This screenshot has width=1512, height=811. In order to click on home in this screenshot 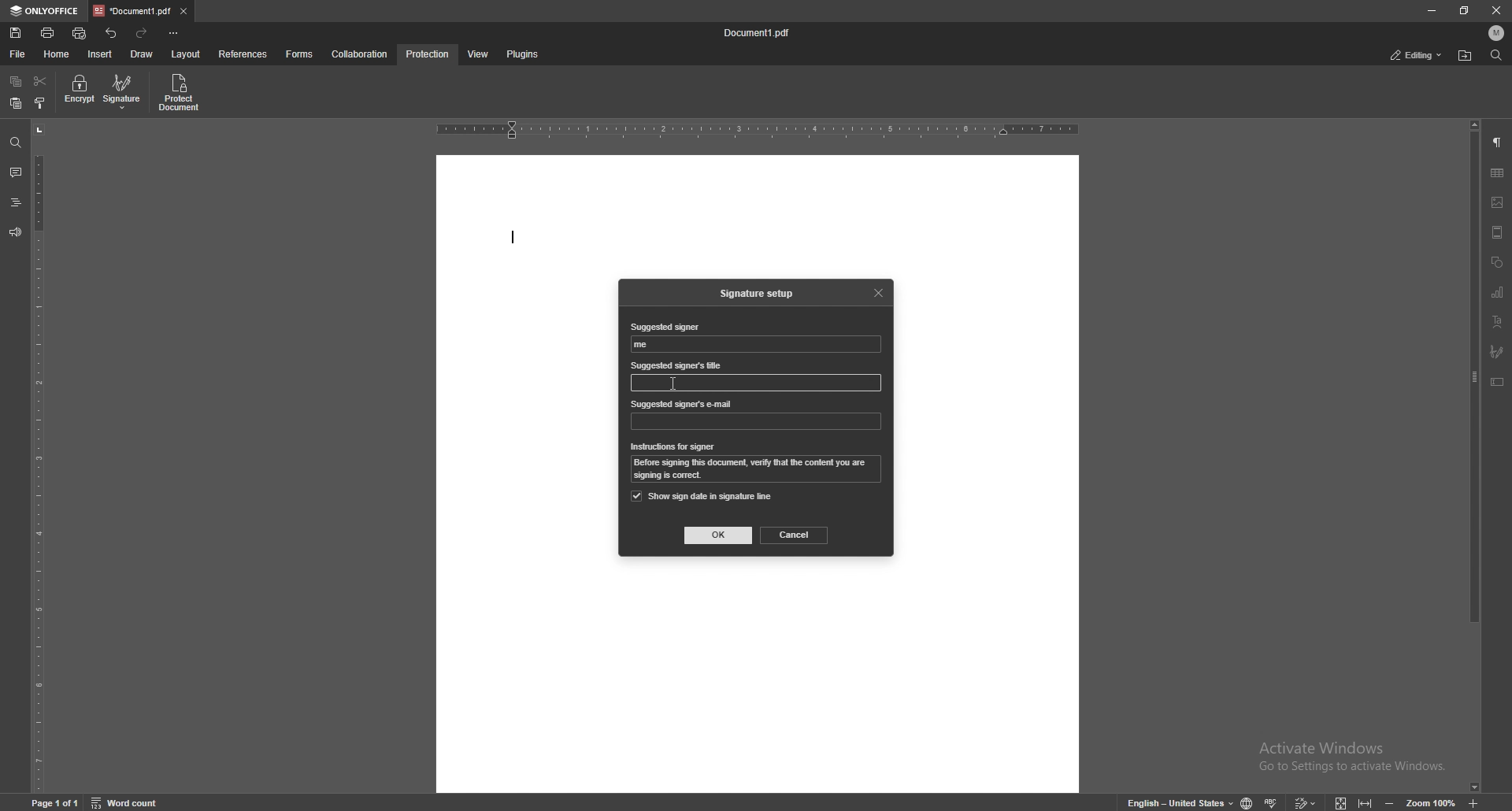, I will do `click(59, 54)`.